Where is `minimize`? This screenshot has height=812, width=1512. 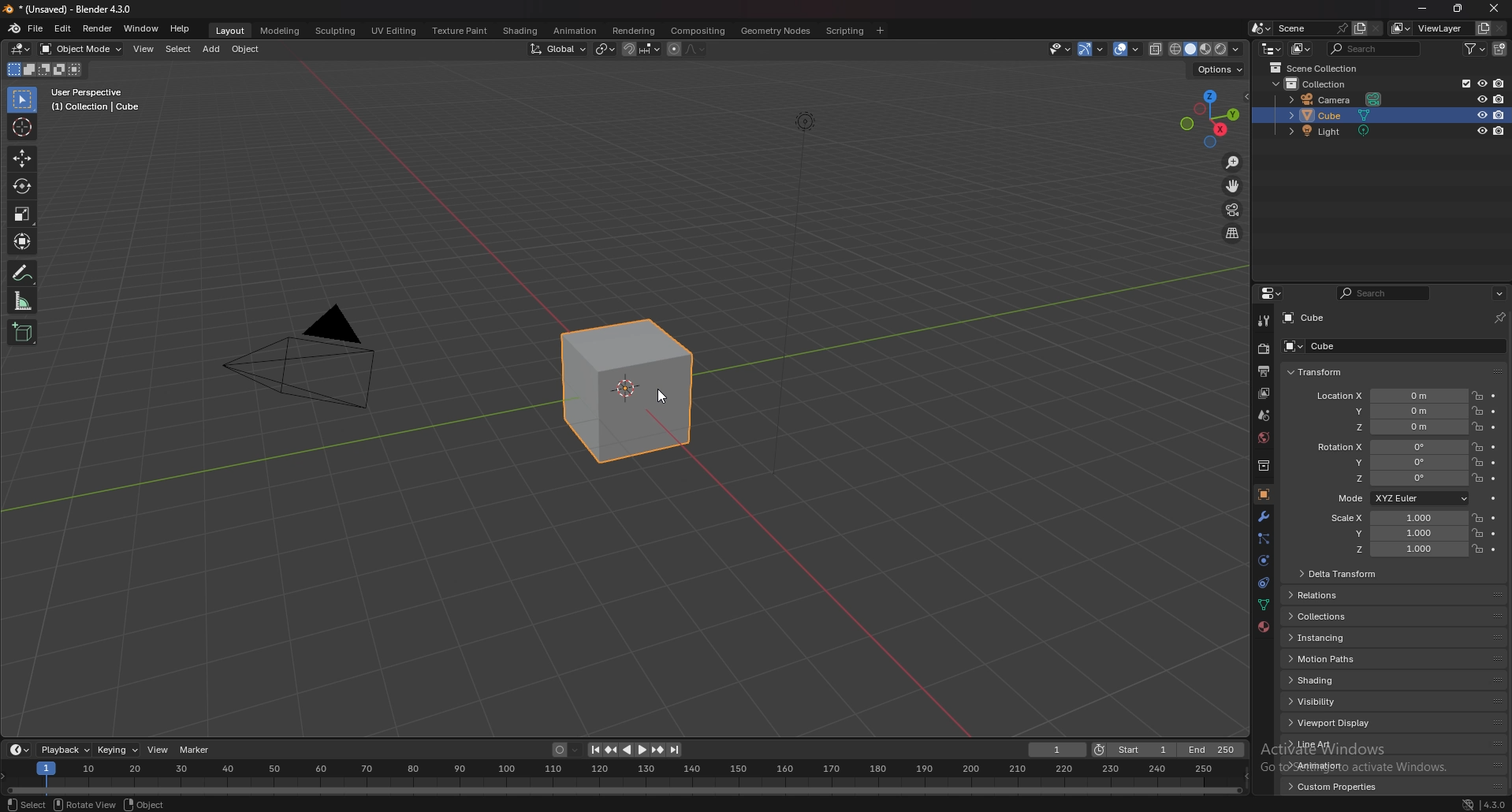 minimize is located at coordinates (1422, 9).